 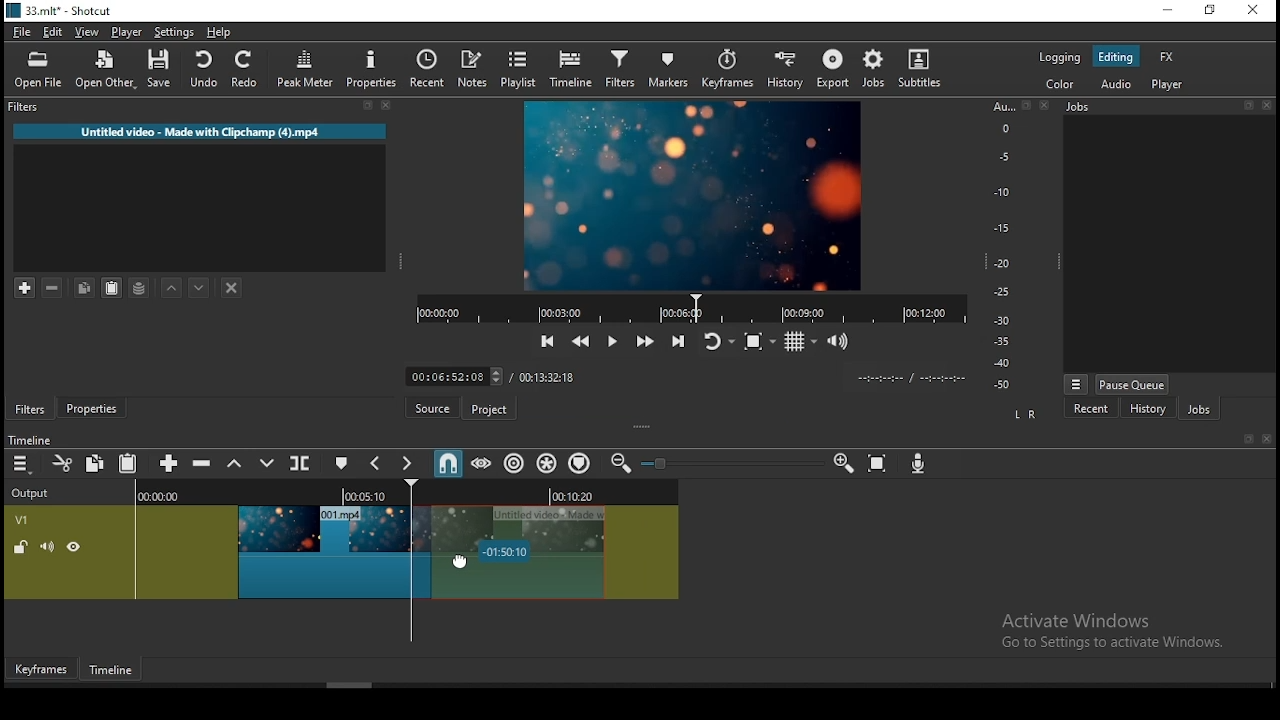 I want to click on color, so click(x=1051, y=86).